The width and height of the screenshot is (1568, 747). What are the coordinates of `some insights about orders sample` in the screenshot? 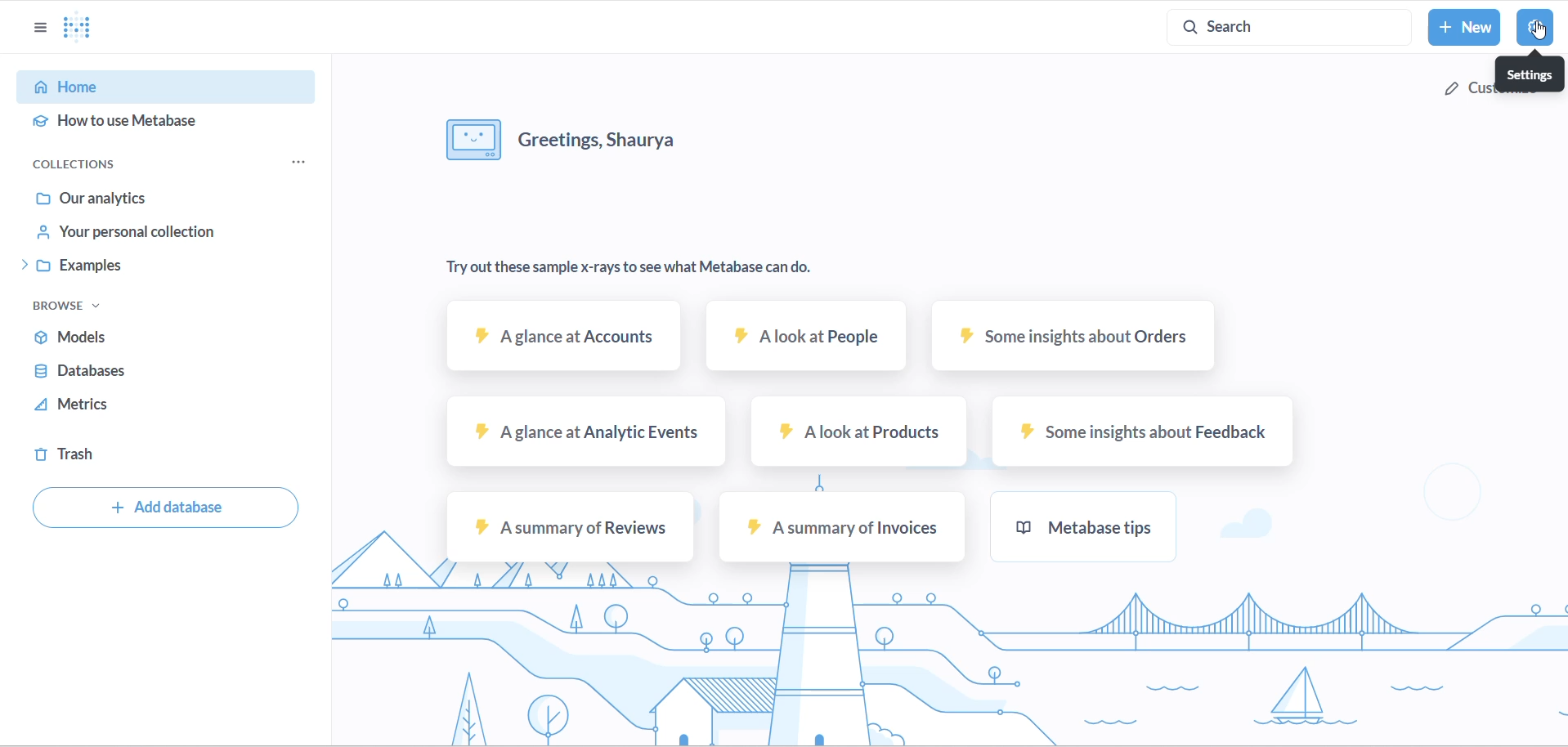 It's located at (1074, 339).